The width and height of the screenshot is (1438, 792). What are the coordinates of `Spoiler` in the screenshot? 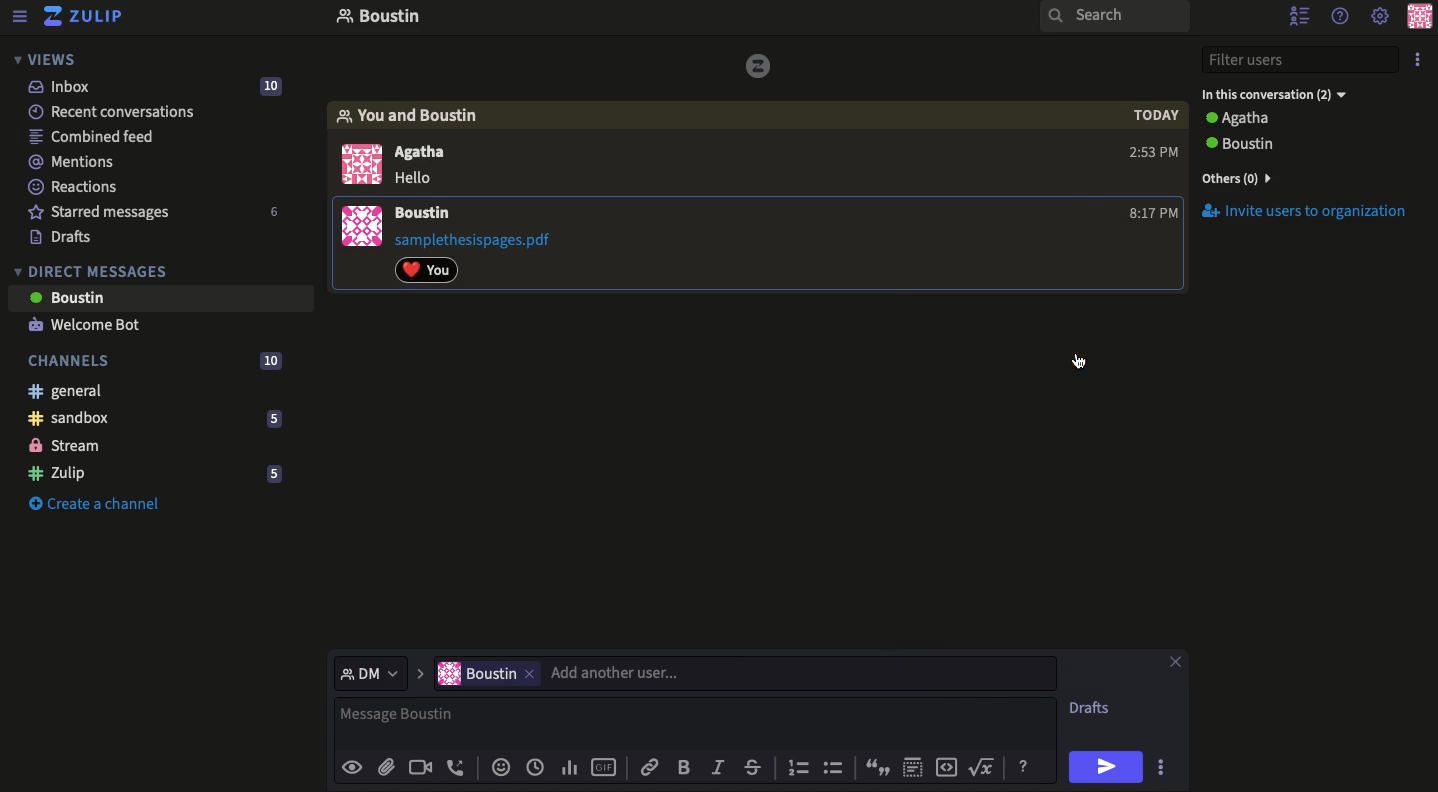 It's located at (911, 766).